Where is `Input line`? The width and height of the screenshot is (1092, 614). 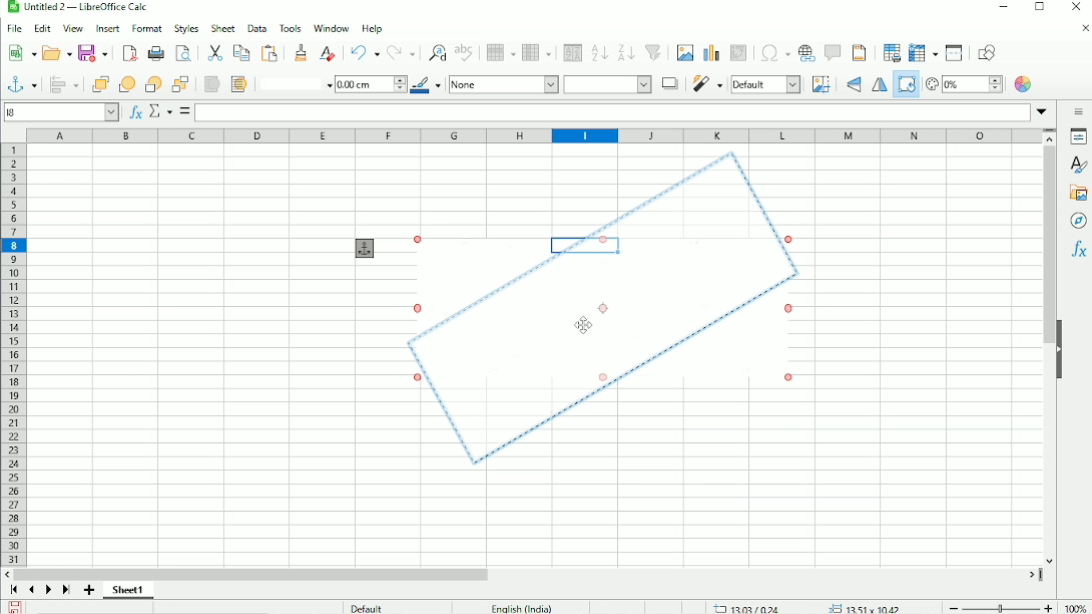
Input line is located at coordinates (613, 113).